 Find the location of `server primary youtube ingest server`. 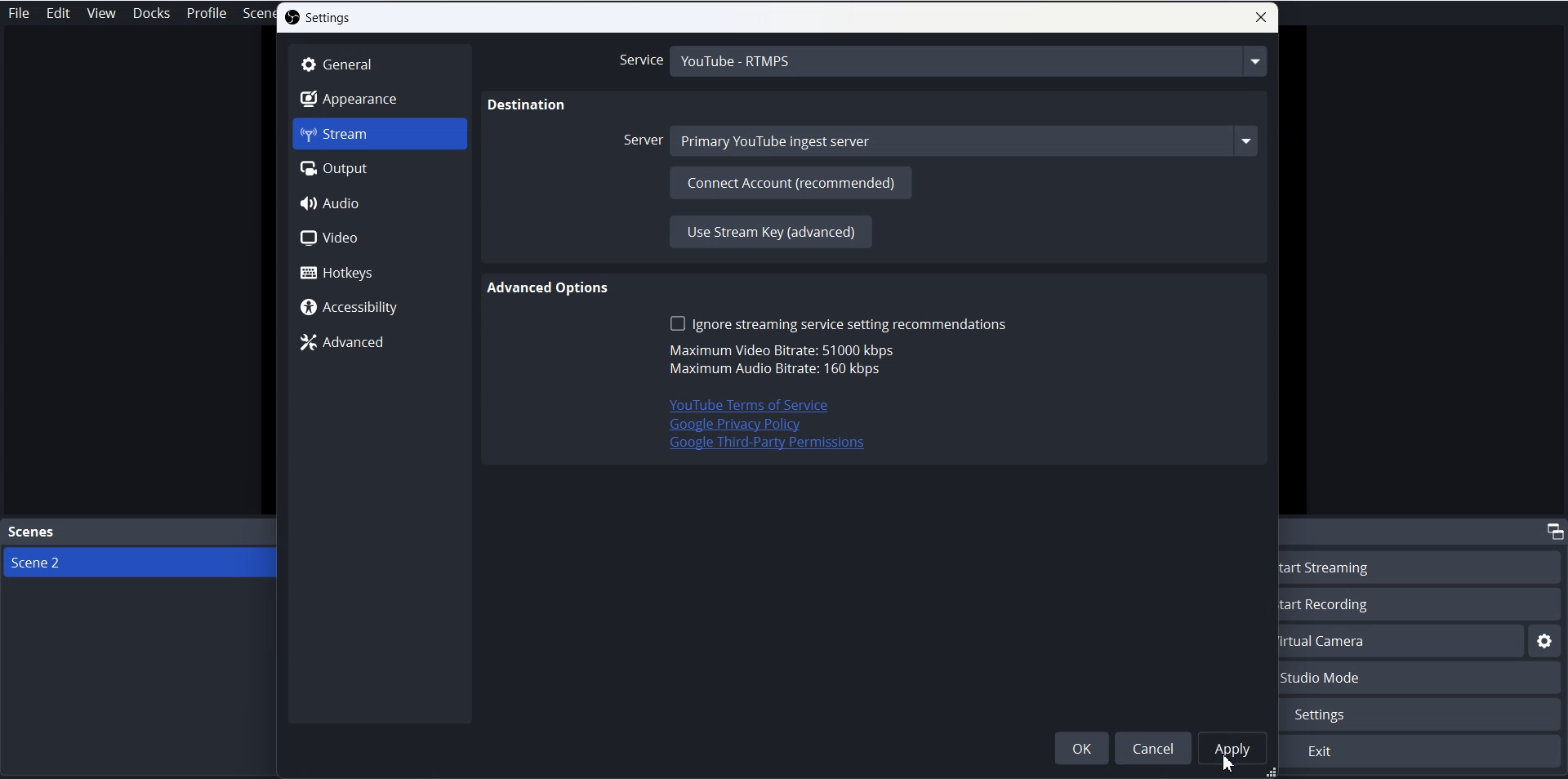

server primary youtube ingest server is located at coordinates (942, 141).